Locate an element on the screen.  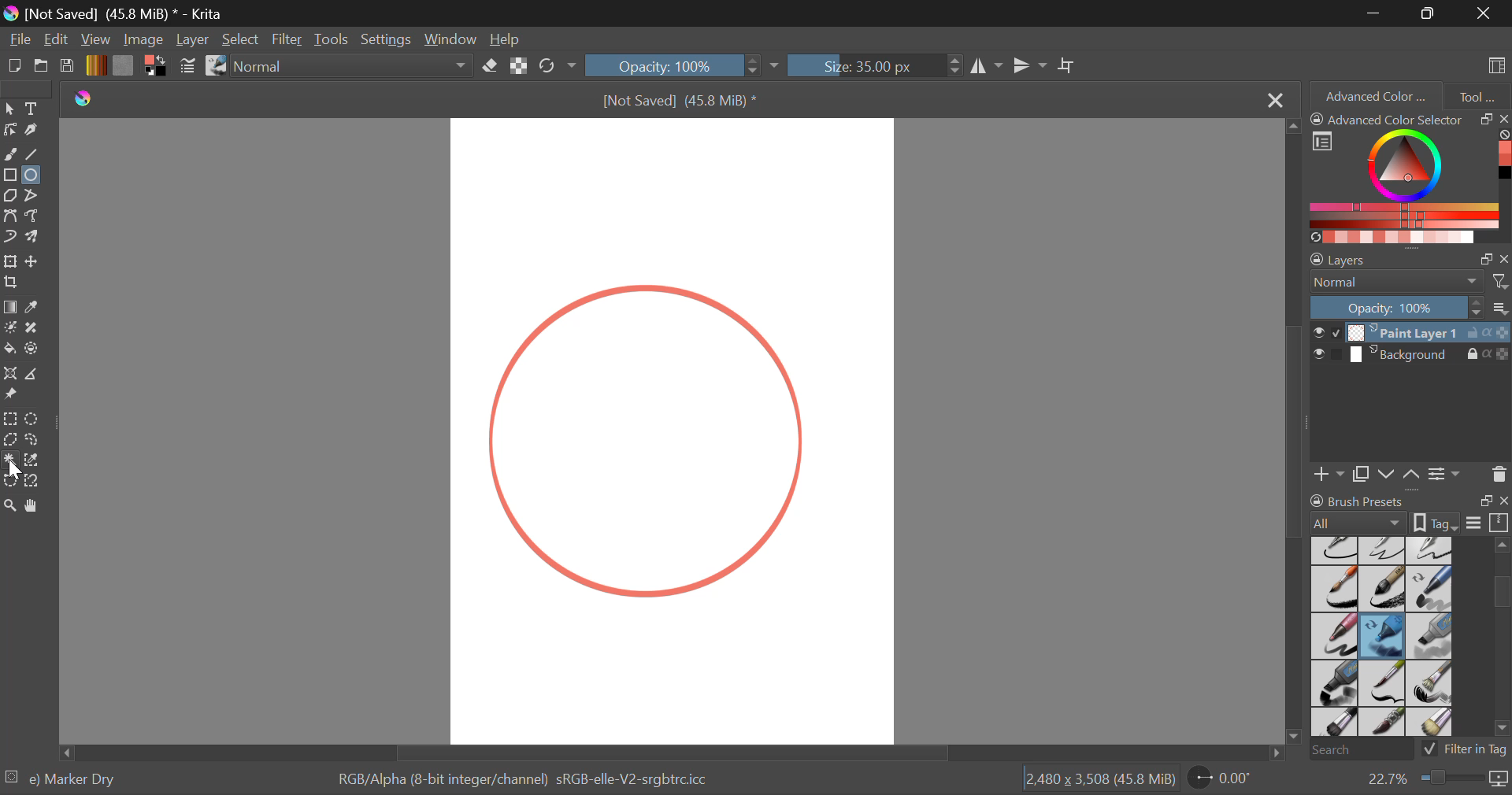
Window is located at coordinates (455, 40).